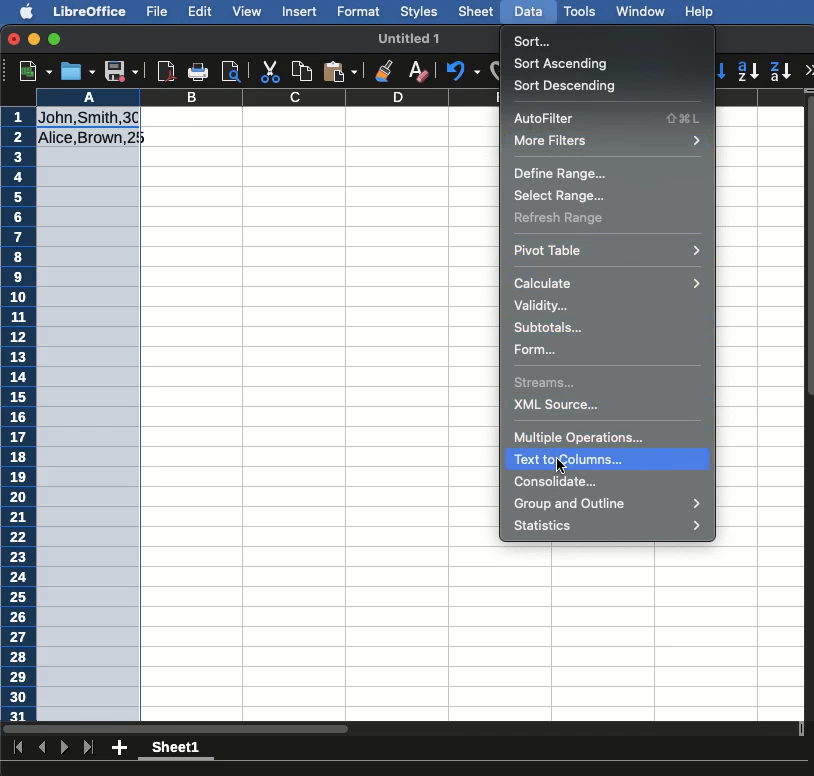 Image resolution: width=814 pixels, height=776 pixels. I want to click on Sheet, so click(477, 11).